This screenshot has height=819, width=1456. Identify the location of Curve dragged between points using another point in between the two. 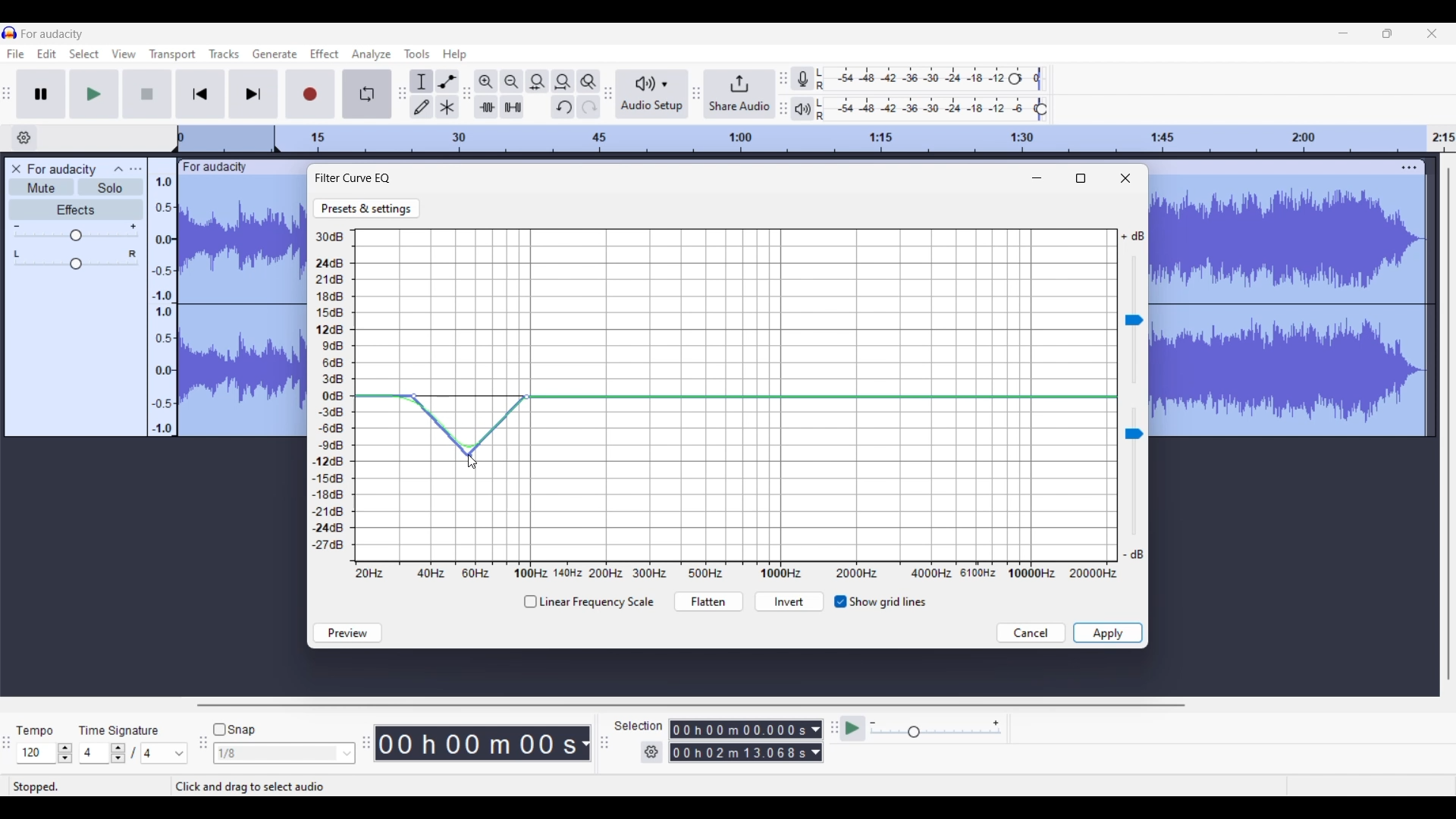
(470, 425).